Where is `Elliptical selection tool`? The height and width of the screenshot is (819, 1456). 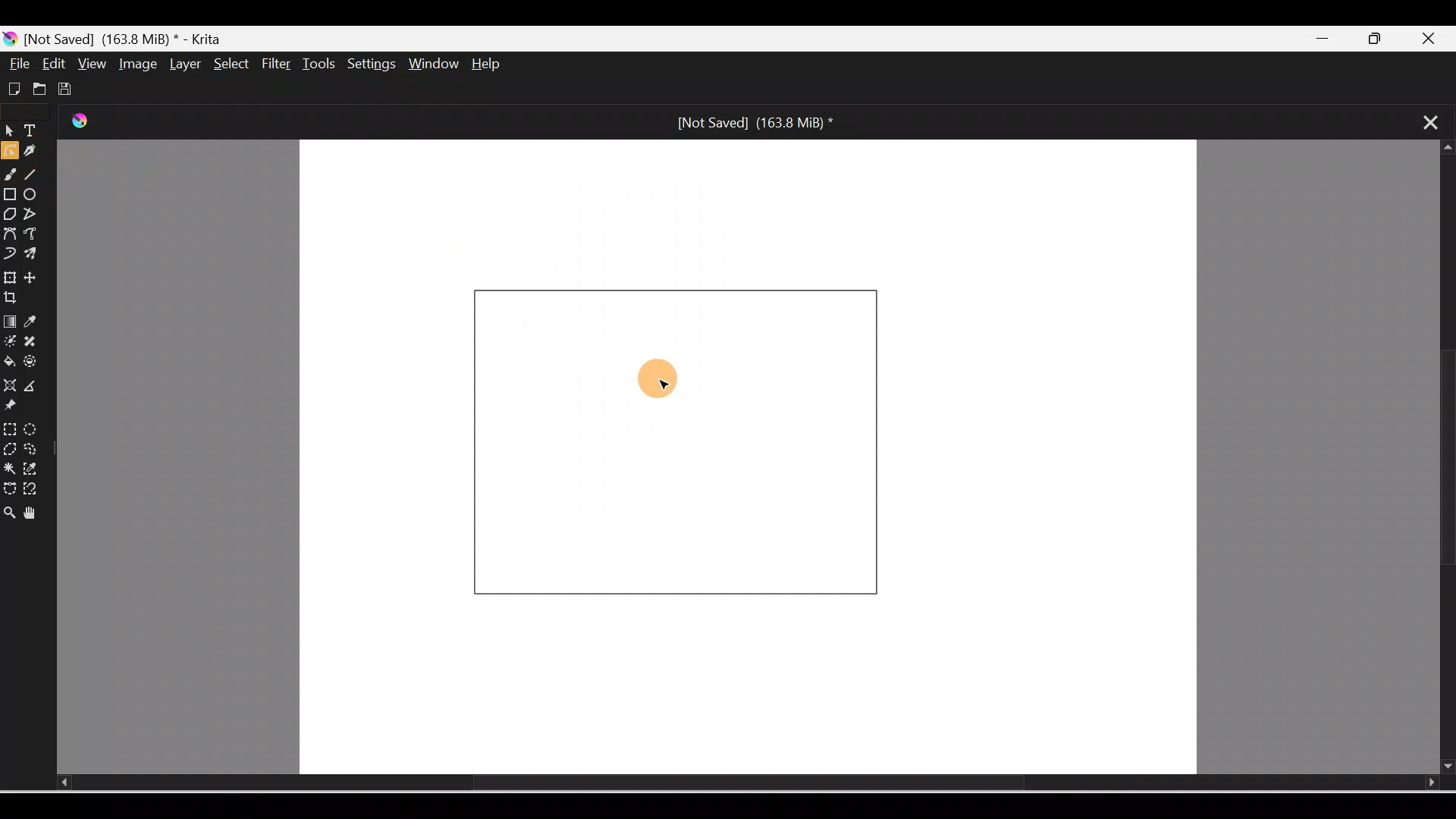
Elliptical selection tool is located at coordinates (31, 427).